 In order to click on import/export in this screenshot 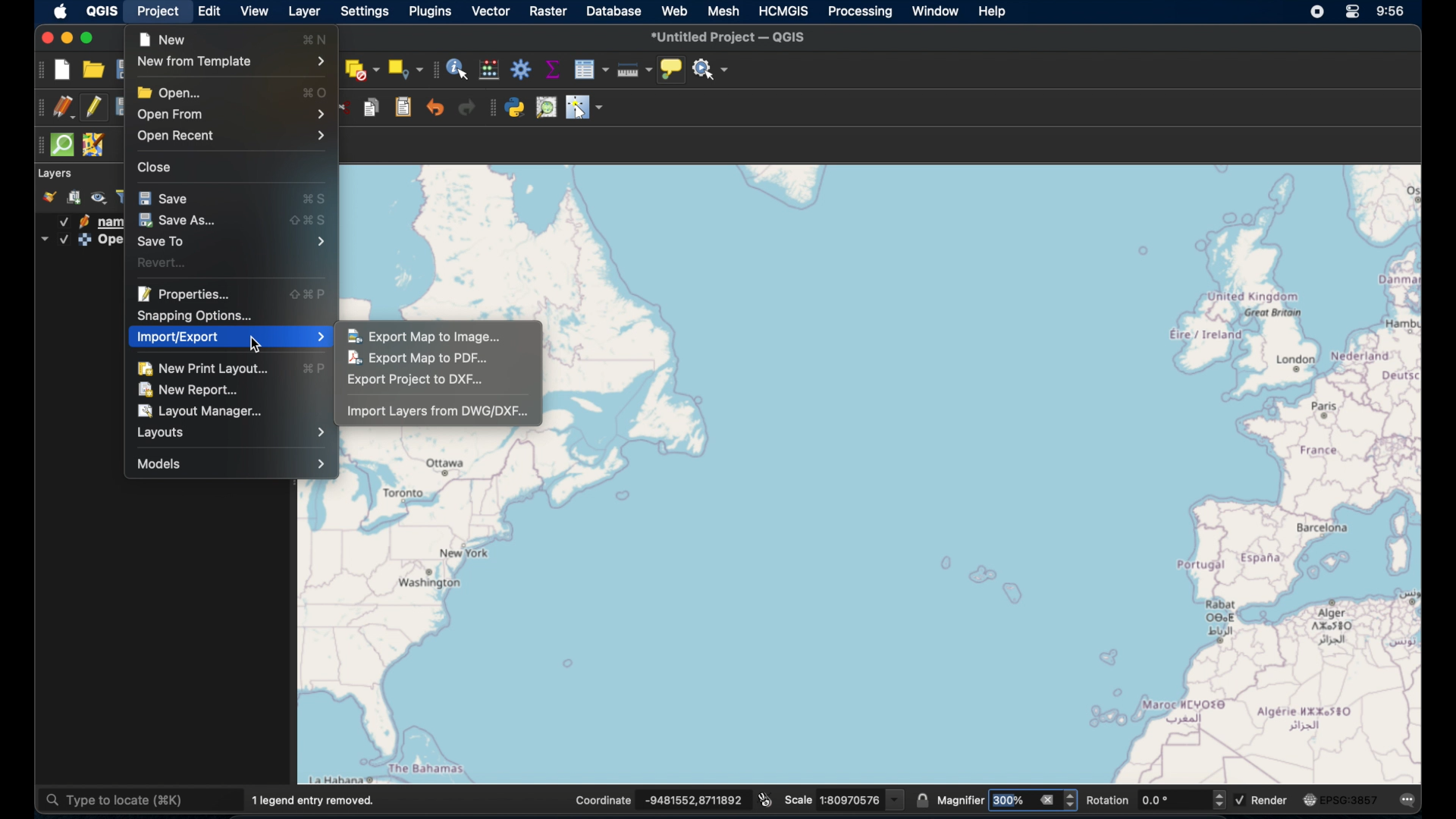, I will do `click(231, 338)`.